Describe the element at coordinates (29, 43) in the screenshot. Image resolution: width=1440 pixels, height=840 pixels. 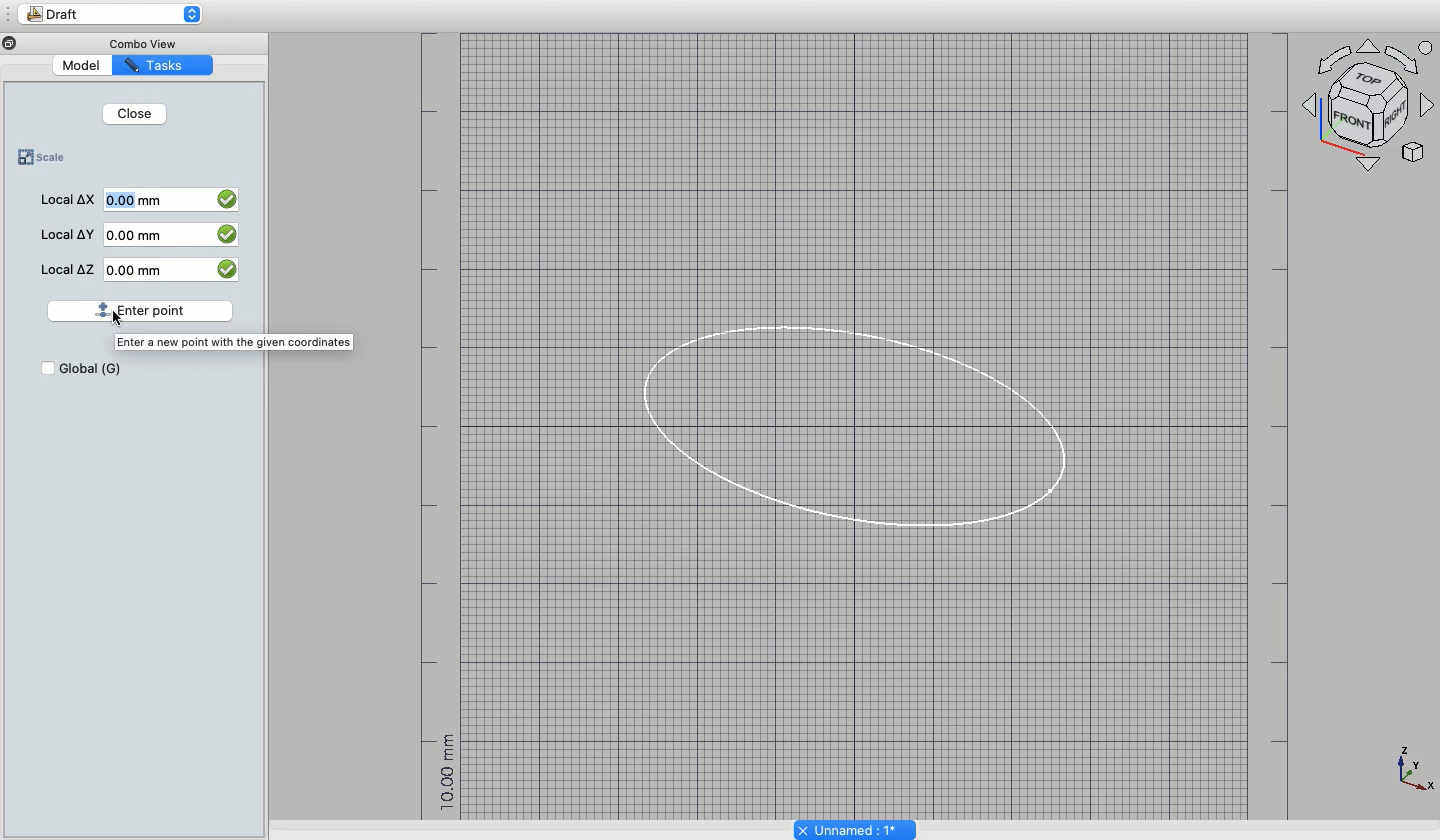
I see `Minimize` at that location.